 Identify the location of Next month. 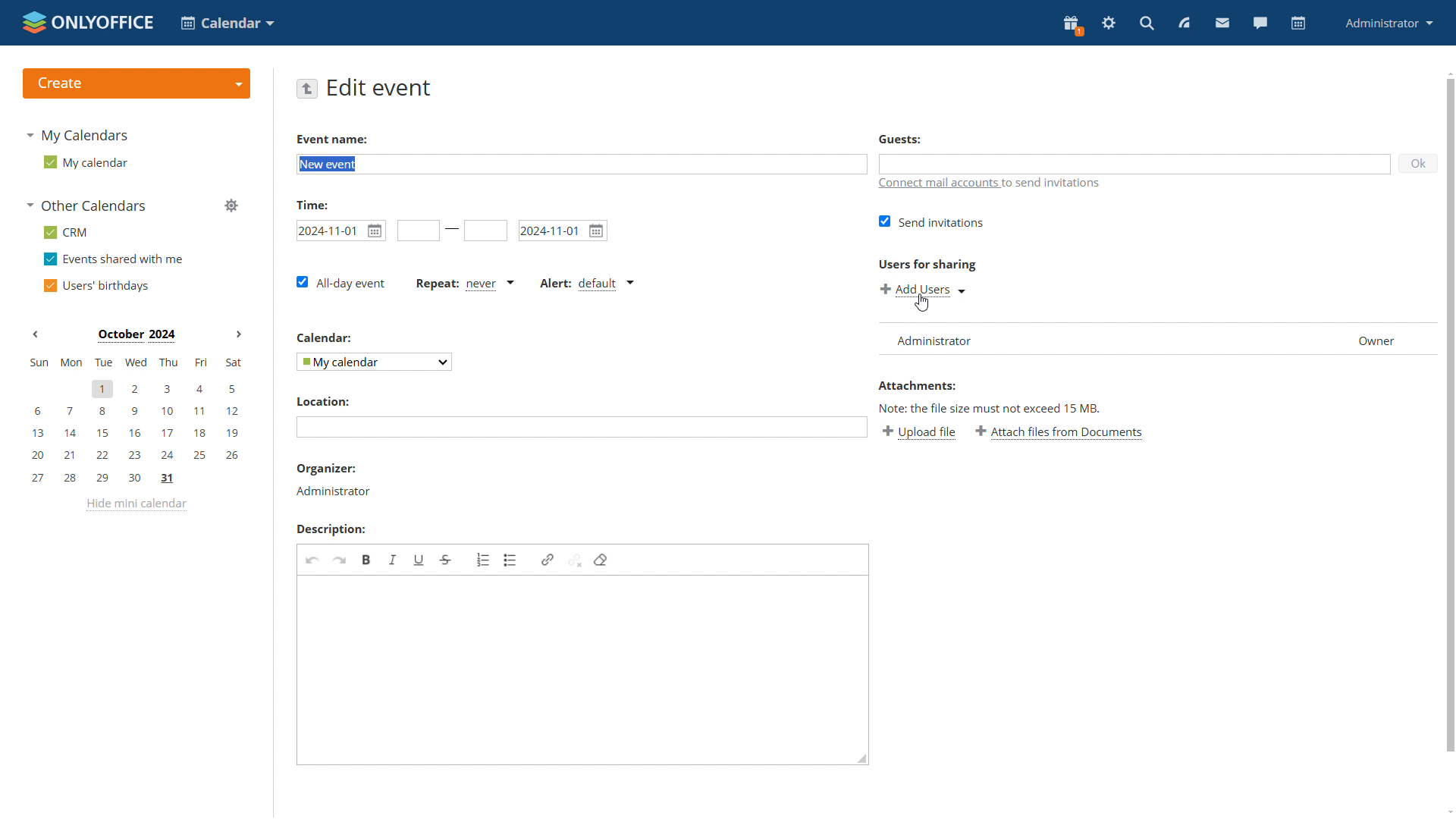
(236, 335).